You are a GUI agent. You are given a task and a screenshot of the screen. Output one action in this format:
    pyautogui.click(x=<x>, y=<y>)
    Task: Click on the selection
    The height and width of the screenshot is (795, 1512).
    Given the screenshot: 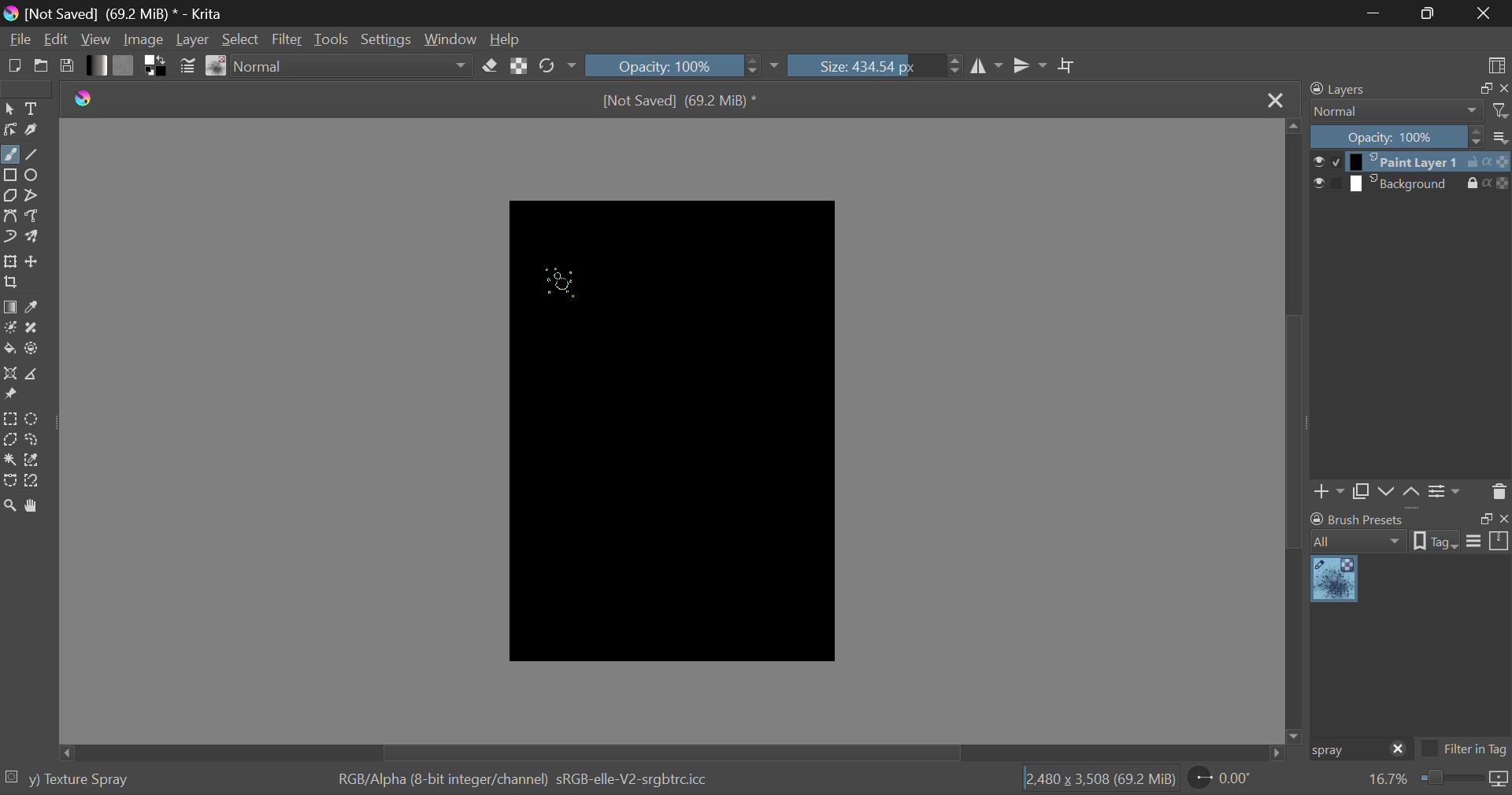 What is the action you would take?
    pyautogui.click(x=11, y=776)
    